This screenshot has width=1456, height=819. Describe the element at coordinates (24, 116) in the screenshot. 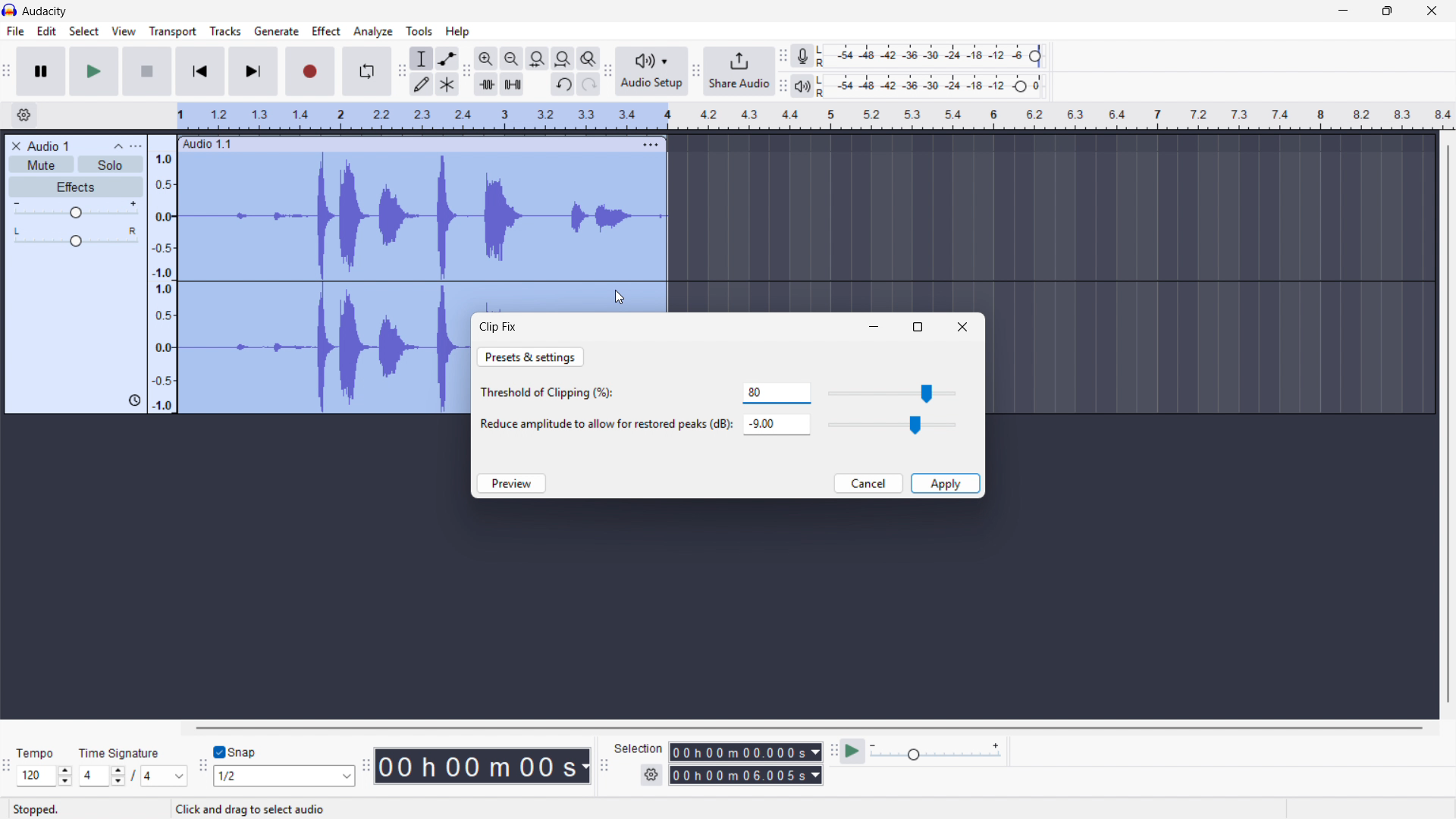

I see `Timeline settings ` at that location.